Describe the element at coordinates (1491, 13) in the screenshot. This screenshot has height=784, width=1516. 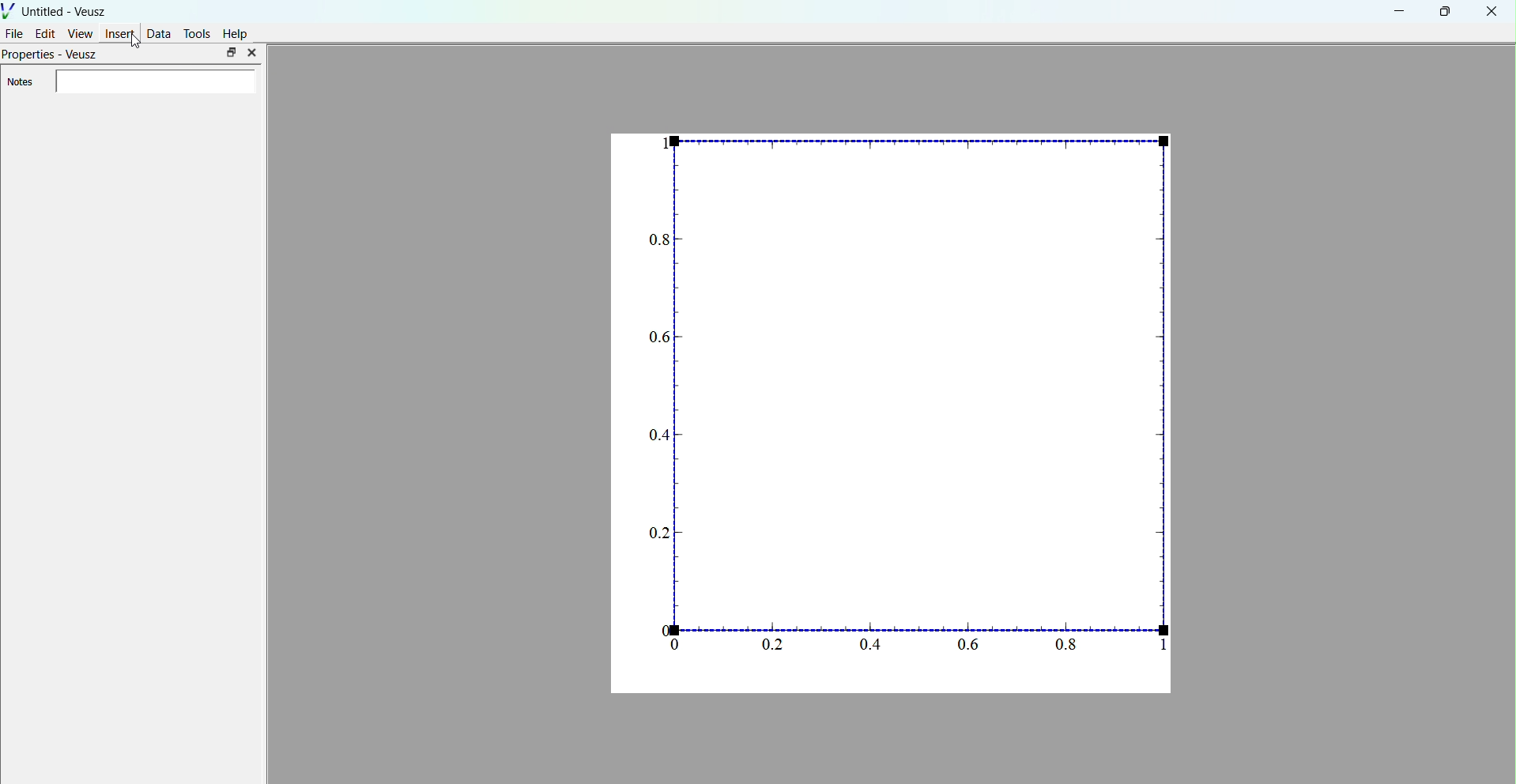
I see `close` at that location.